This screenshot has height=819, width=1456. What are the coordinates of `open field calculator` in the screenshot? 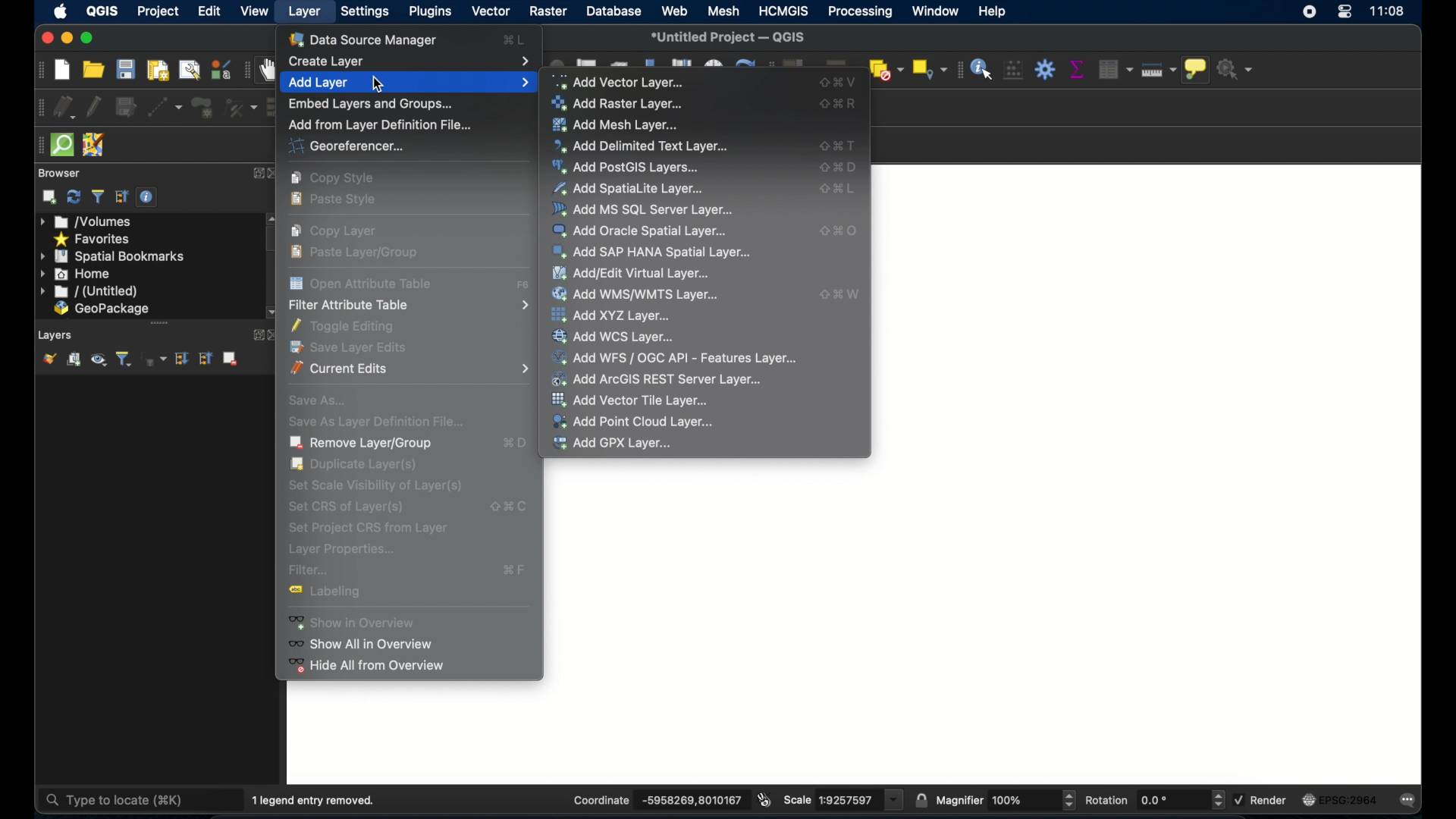 It's located at (1013, 69).